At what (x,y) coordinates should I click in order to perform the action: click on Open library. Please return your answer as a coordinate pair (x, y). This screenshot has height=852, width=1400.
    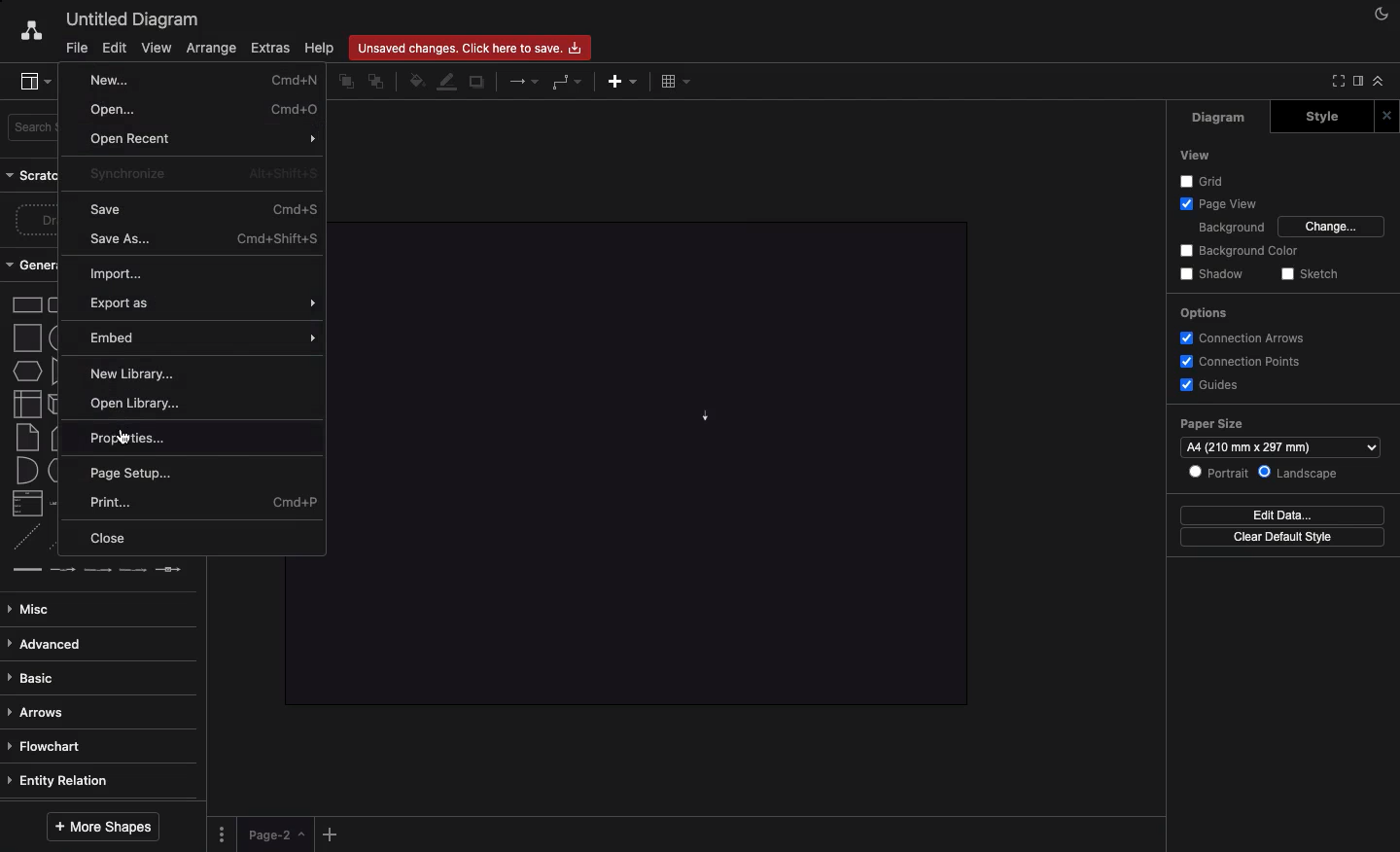
    Looking at the image, I should click on (140, 404).